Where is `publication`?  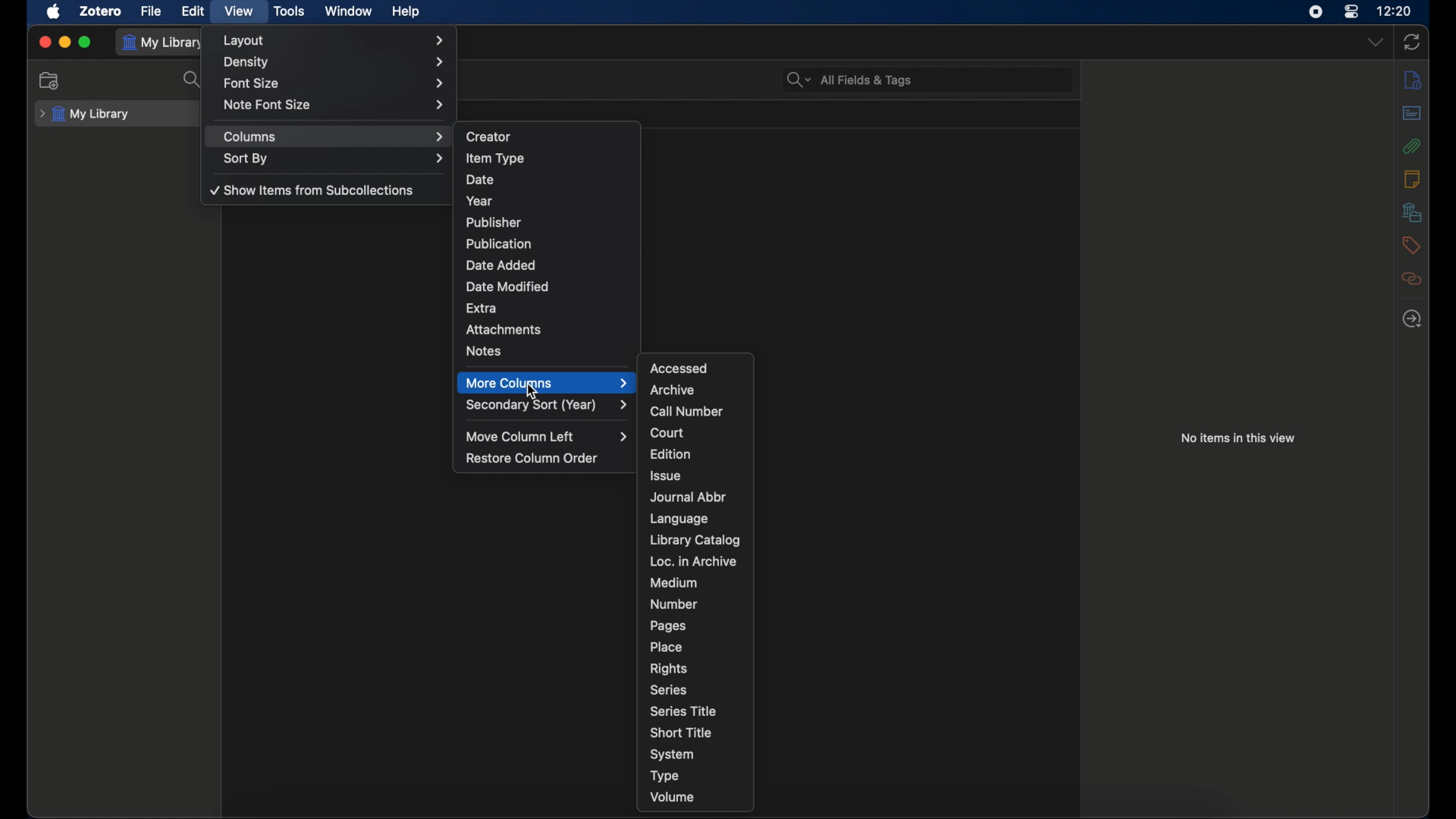
publication is located at coordinates (499, 243).